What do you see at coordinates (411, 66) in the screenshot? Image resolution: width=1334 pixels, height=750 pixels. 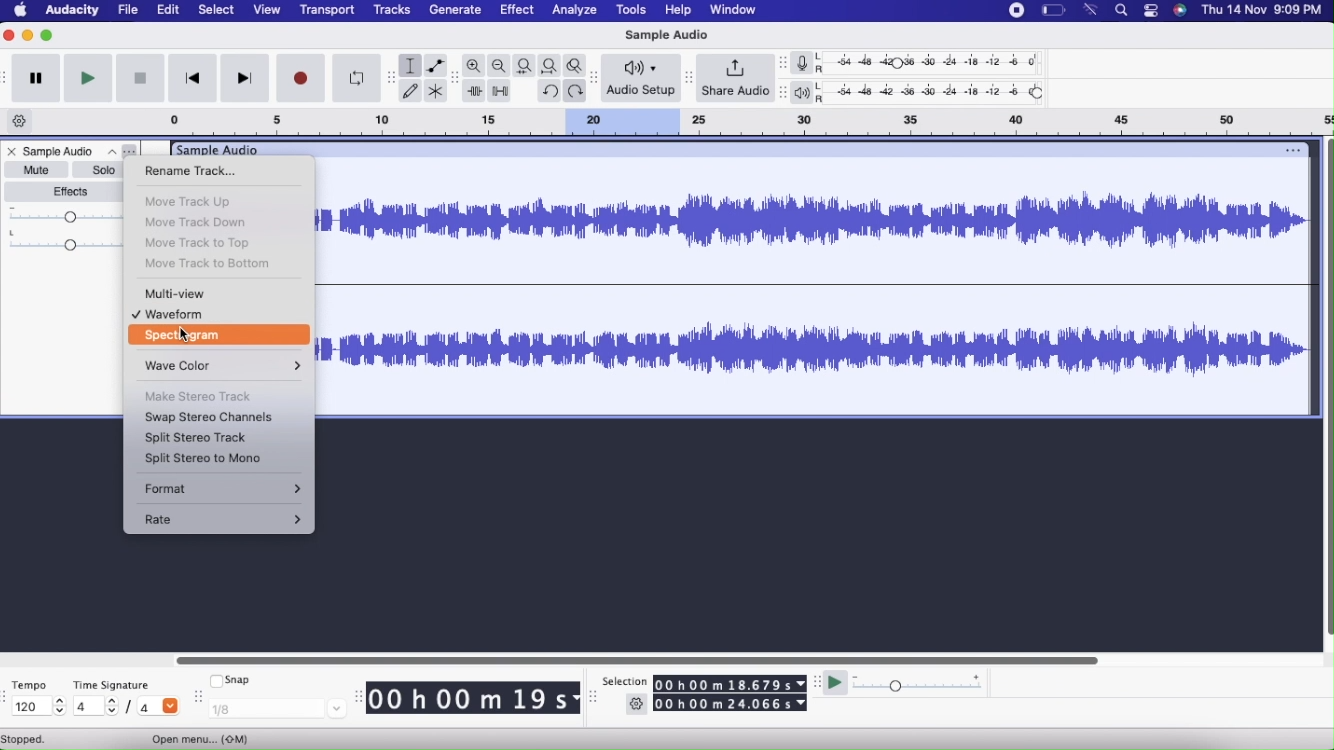 I see `Selection tool` at bounding box center [411, 66].